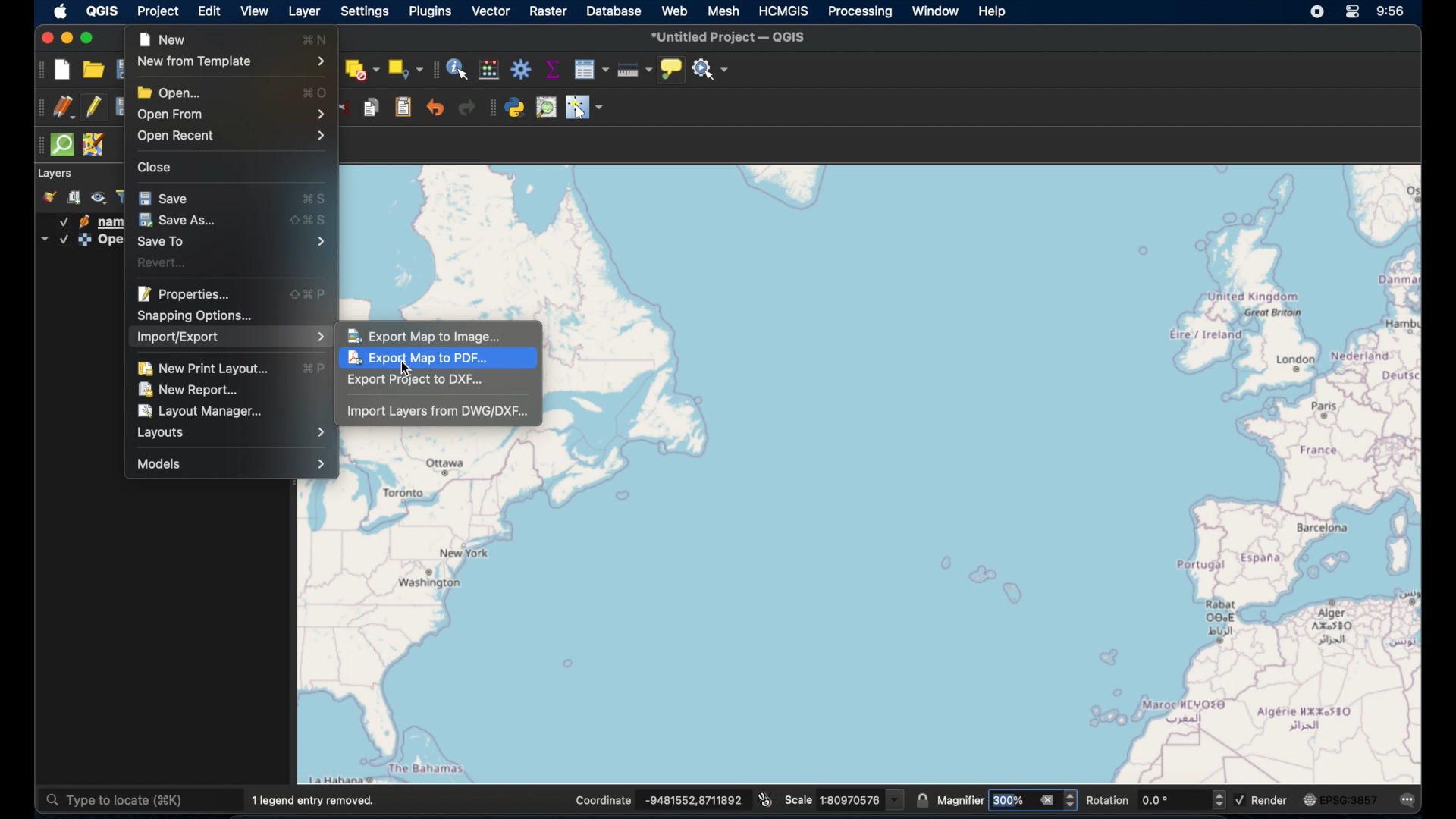  I want to click on open from menu, so click(230, 114).